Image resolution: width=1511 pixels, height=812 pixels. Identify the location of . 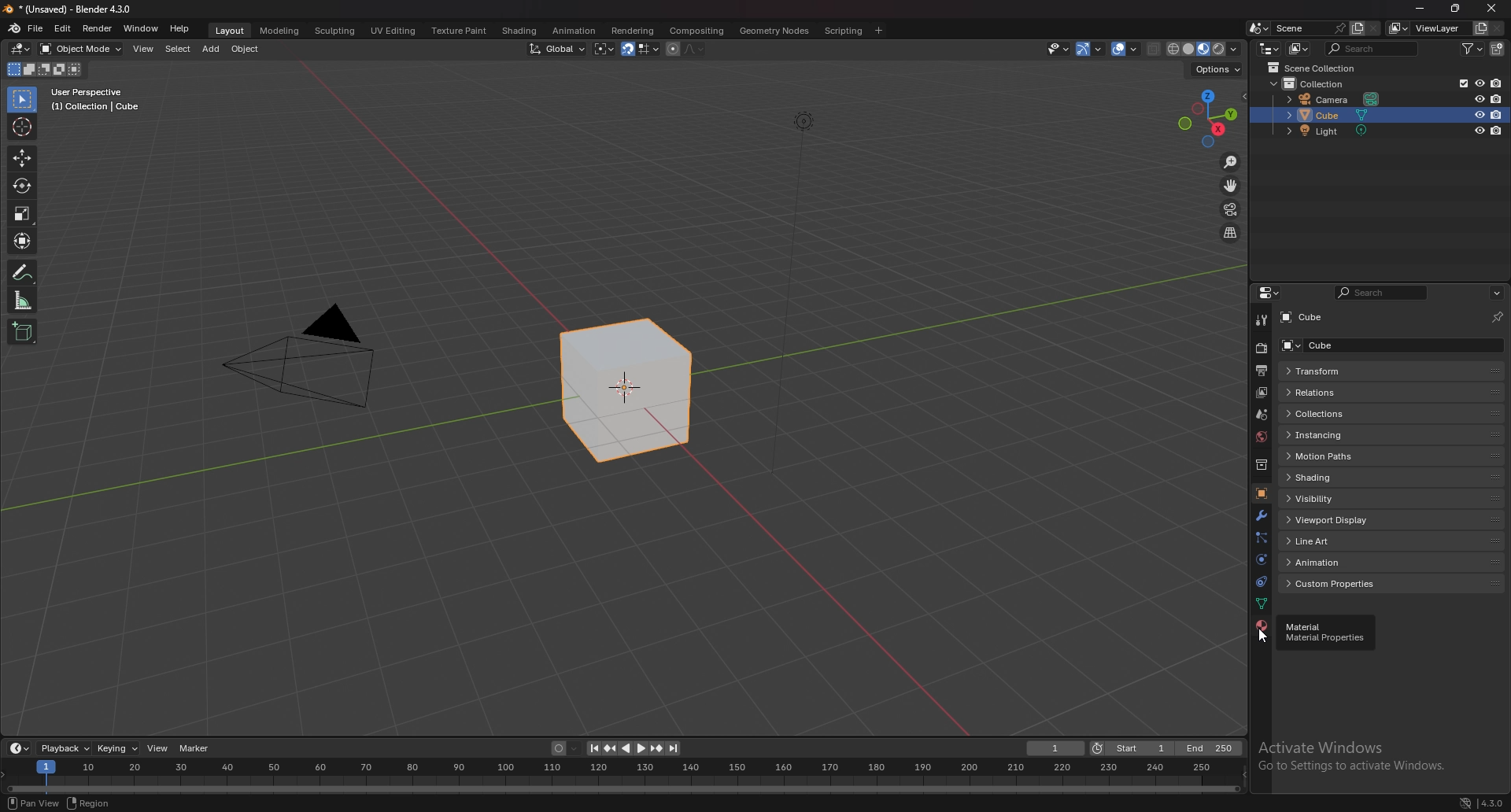
(302, 362).